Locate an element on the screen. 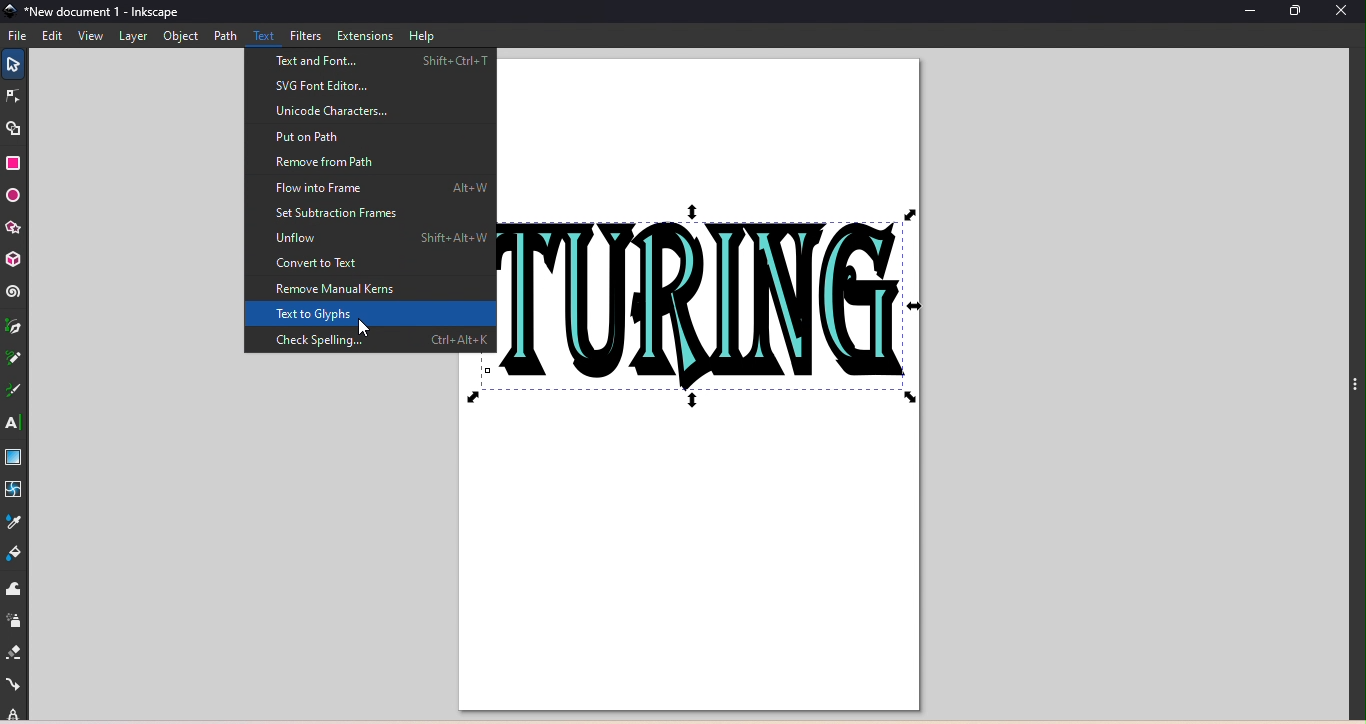  cursor is located at coordinates (373, 328).